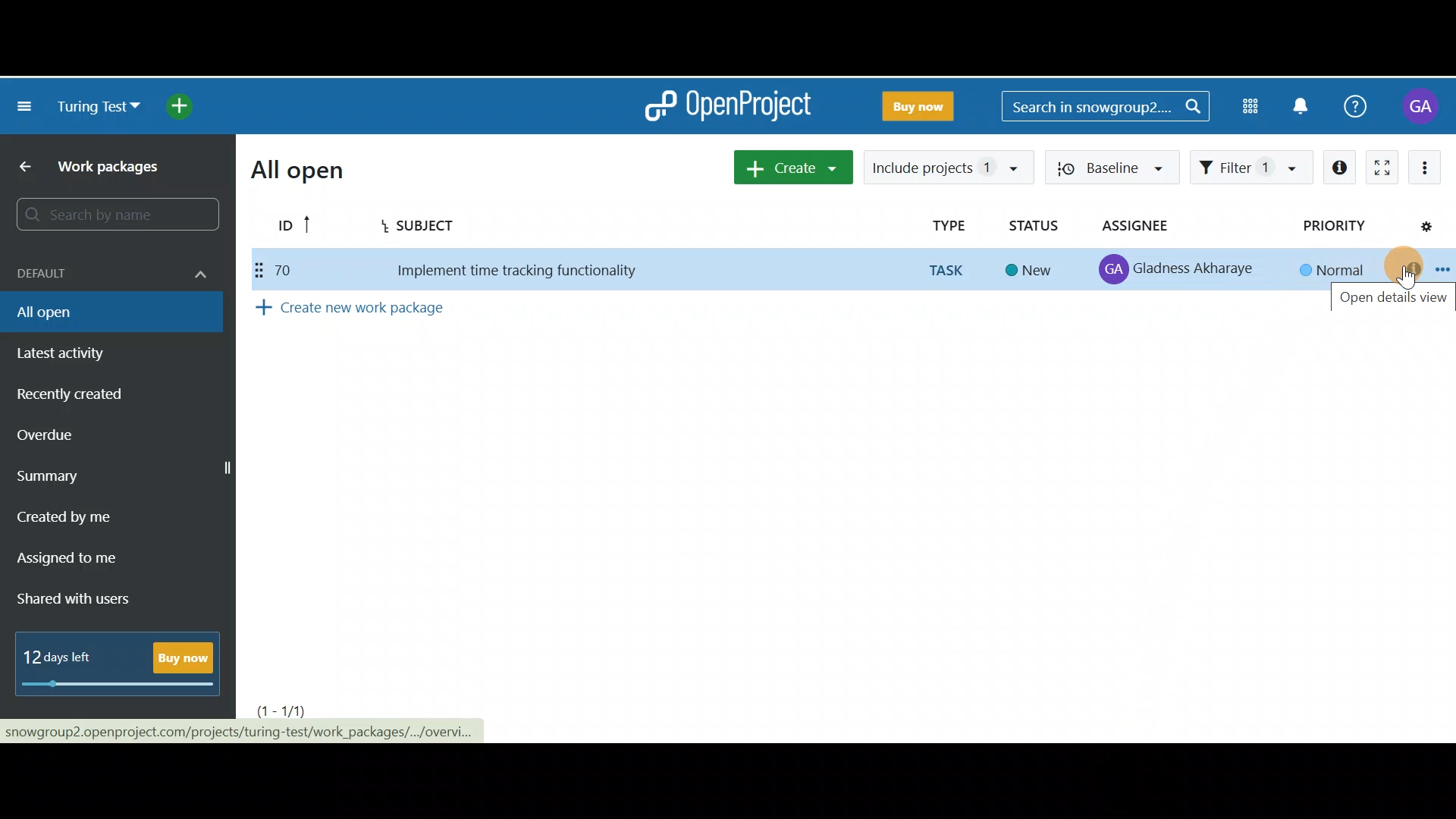 The image size is (1456, 819). Describe the element at coordinates (1033, 275) in the screenshot. I see `New` at that location.